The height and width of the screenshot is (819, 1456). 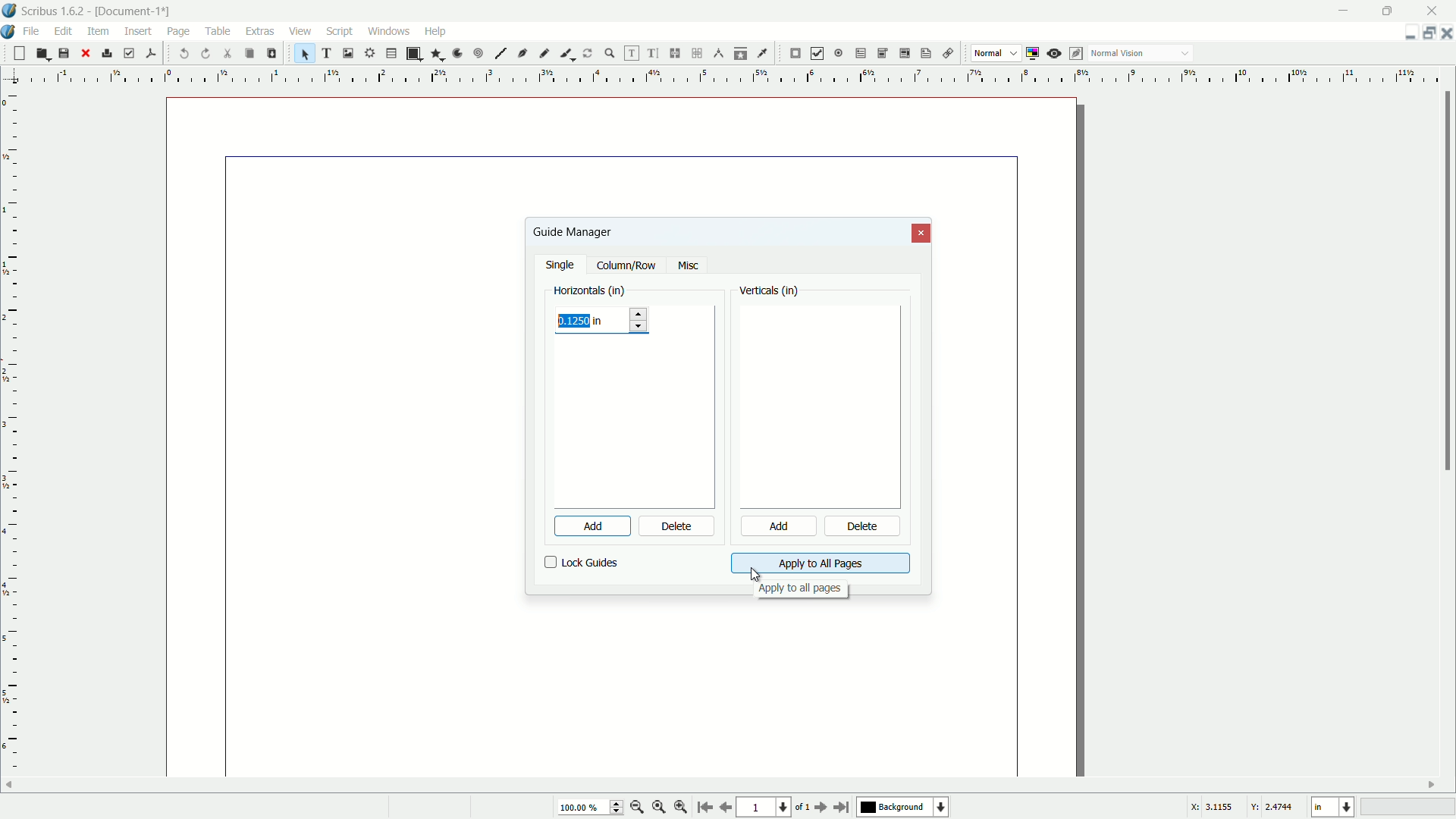 What do you see at coordinates (610, 52) in the screenshot?
I see `zoom in or out` at bounding box center [610, 52].